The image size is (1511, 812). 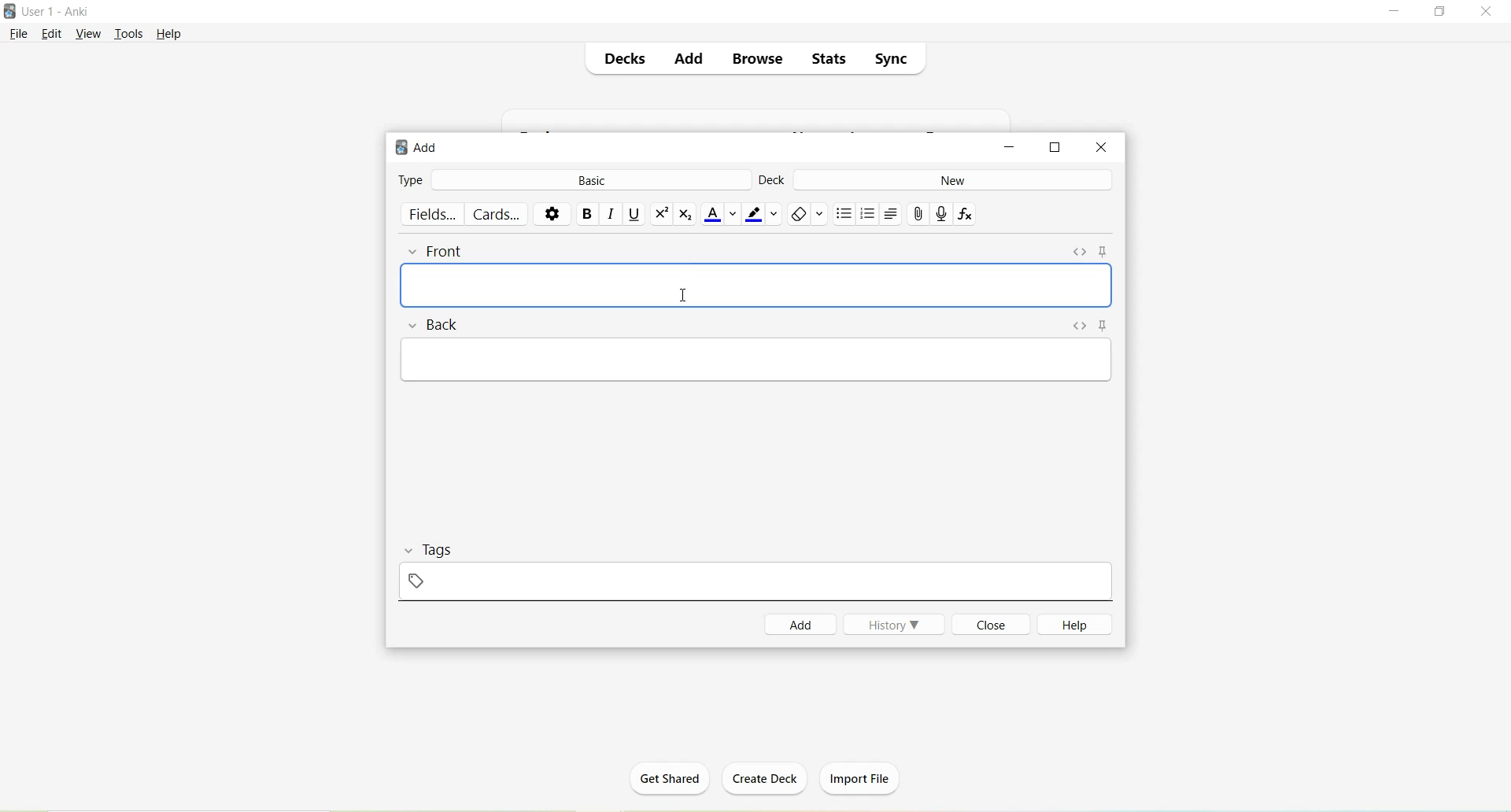 I want to click on Minimize, so click(x=1397, y=13).